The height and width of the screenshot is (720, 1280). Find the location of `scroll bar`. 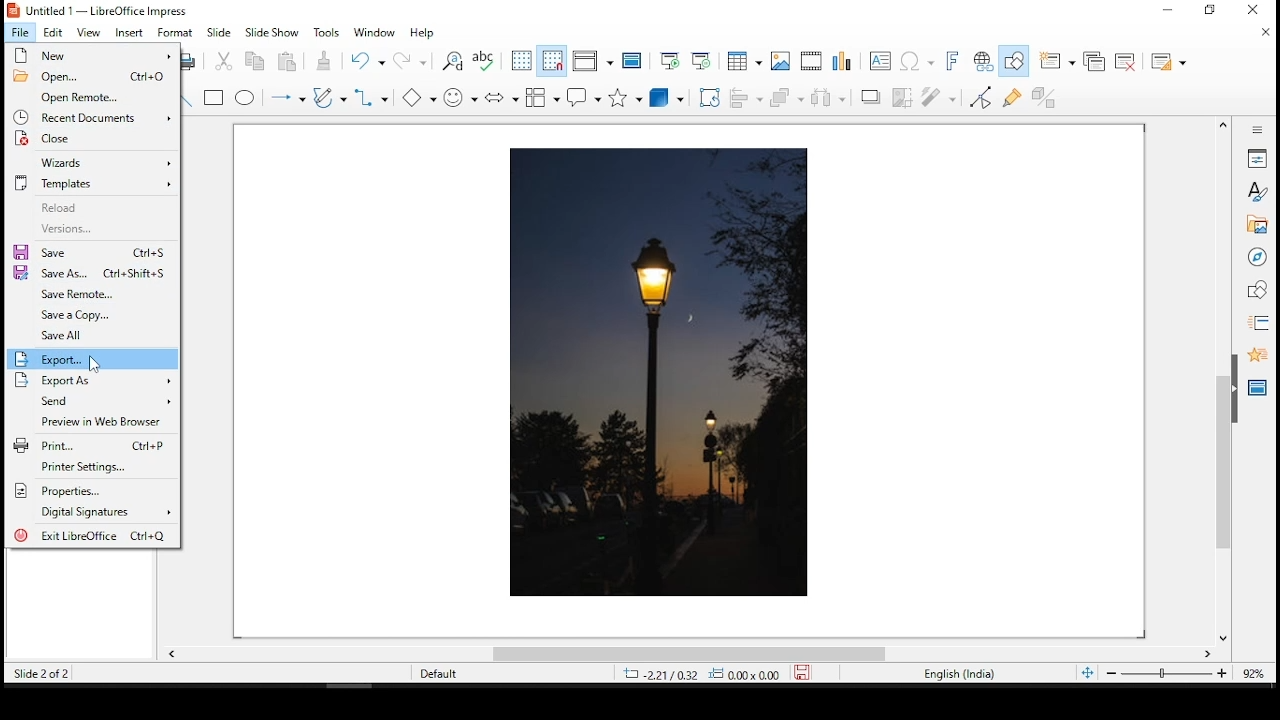

scroll bar is located at coordinates (686, 657).